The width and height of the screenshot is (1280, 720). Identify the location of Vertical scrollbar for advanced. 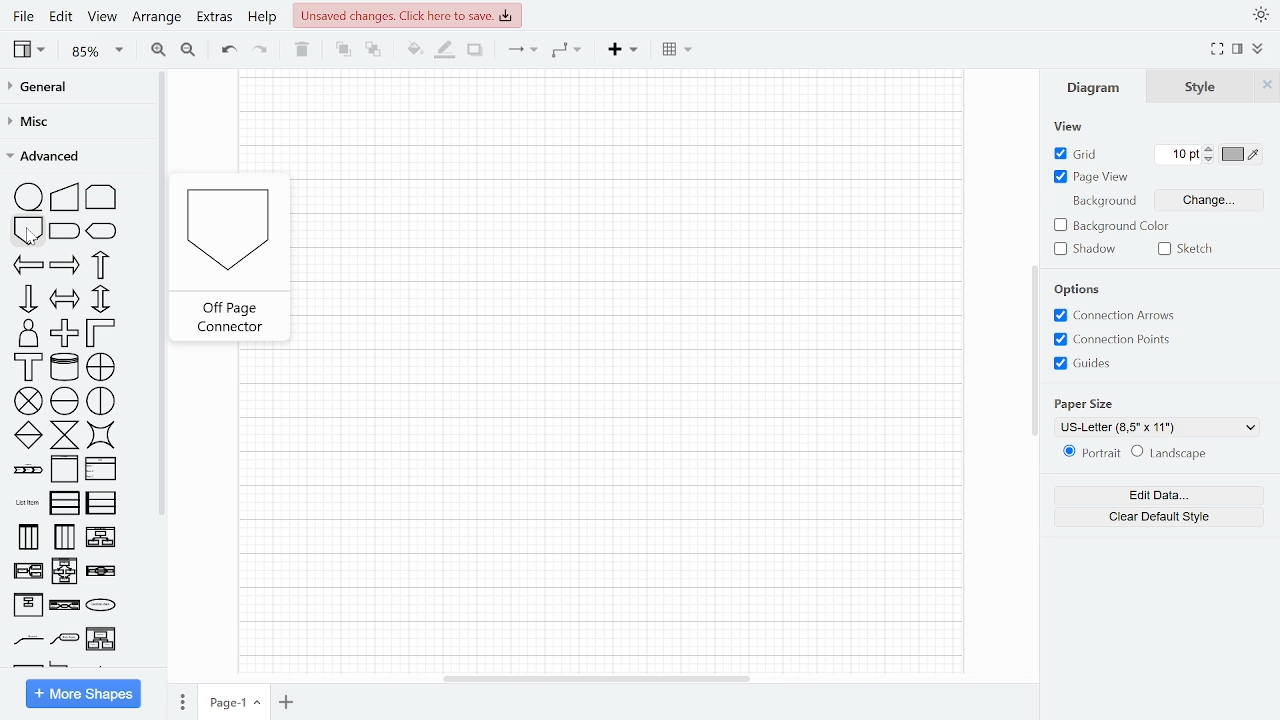
(163, 296).